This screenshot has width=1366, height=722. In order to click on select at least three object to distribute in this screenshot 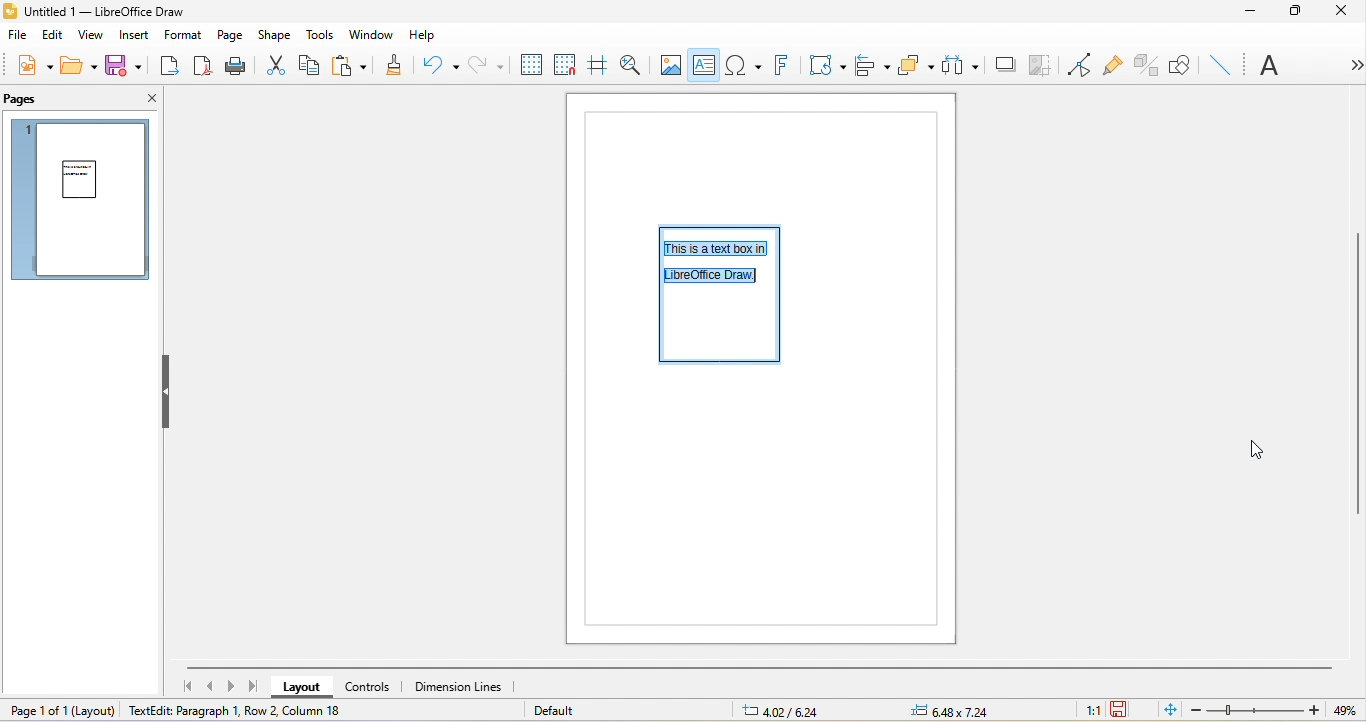, I will do `click(959, 65)`.